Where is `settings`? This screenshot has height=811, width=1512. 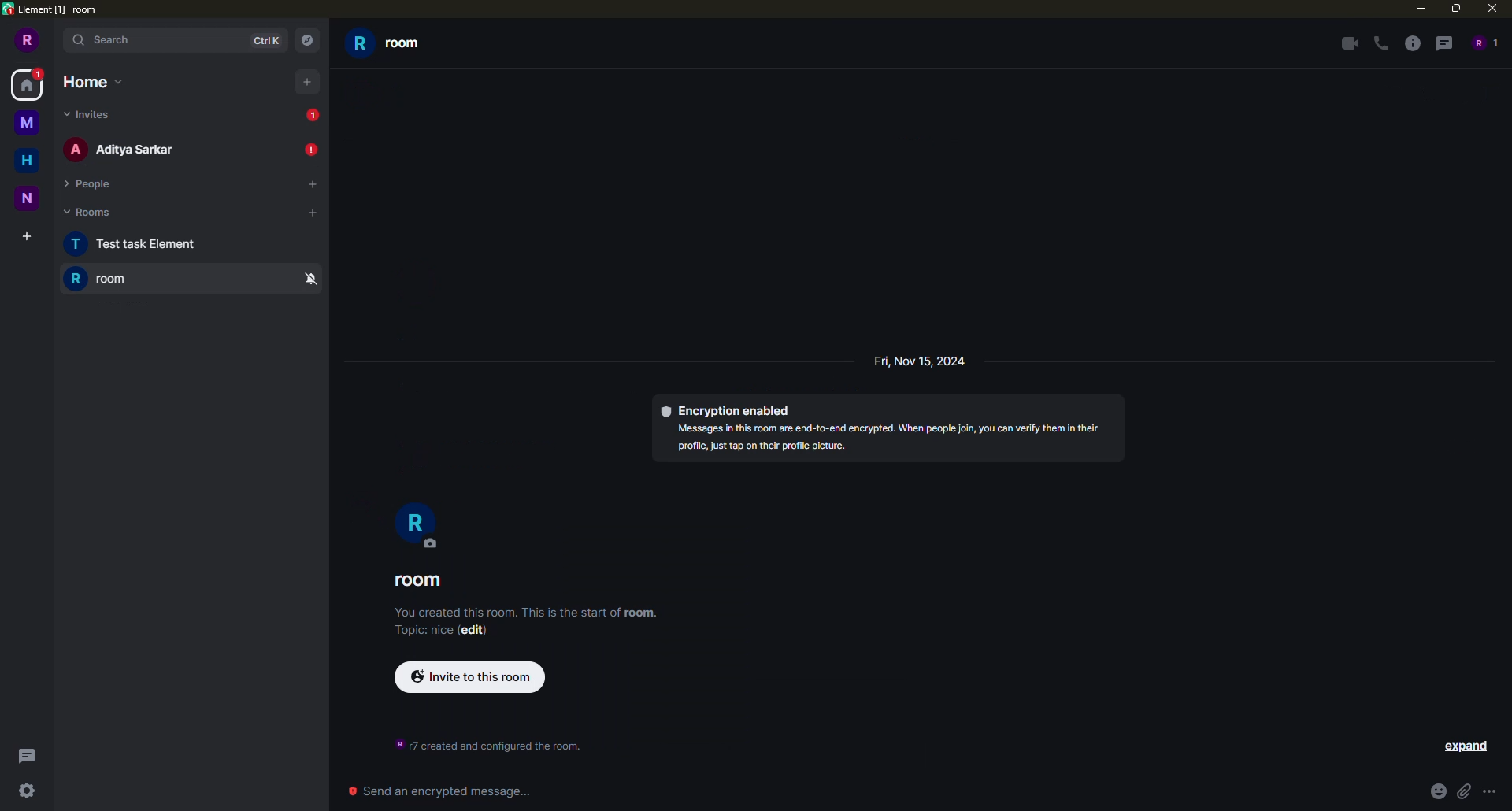
settings is located at coordinates (28, 792).